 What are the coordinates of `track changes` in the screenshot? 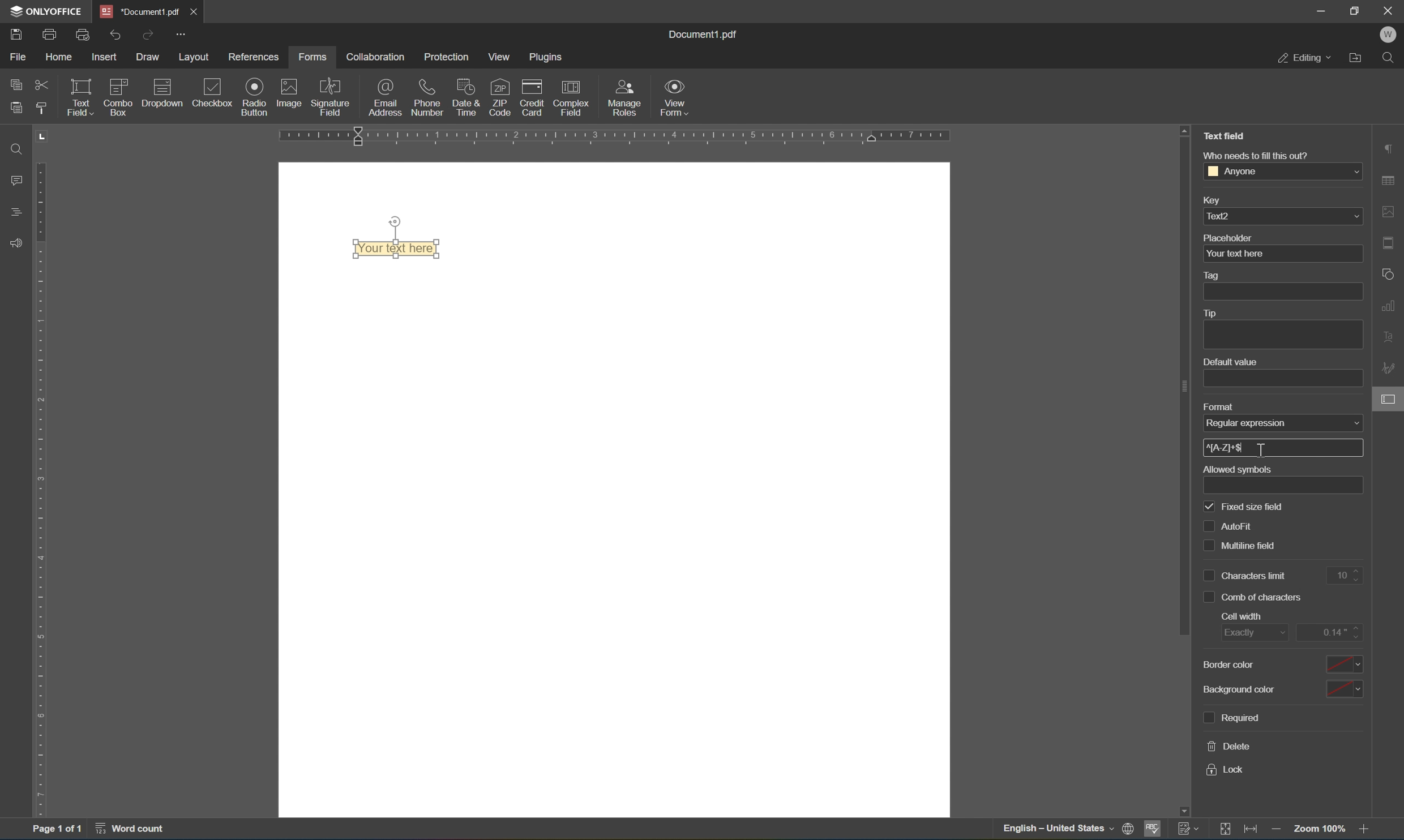 It's located at (1187, 830).